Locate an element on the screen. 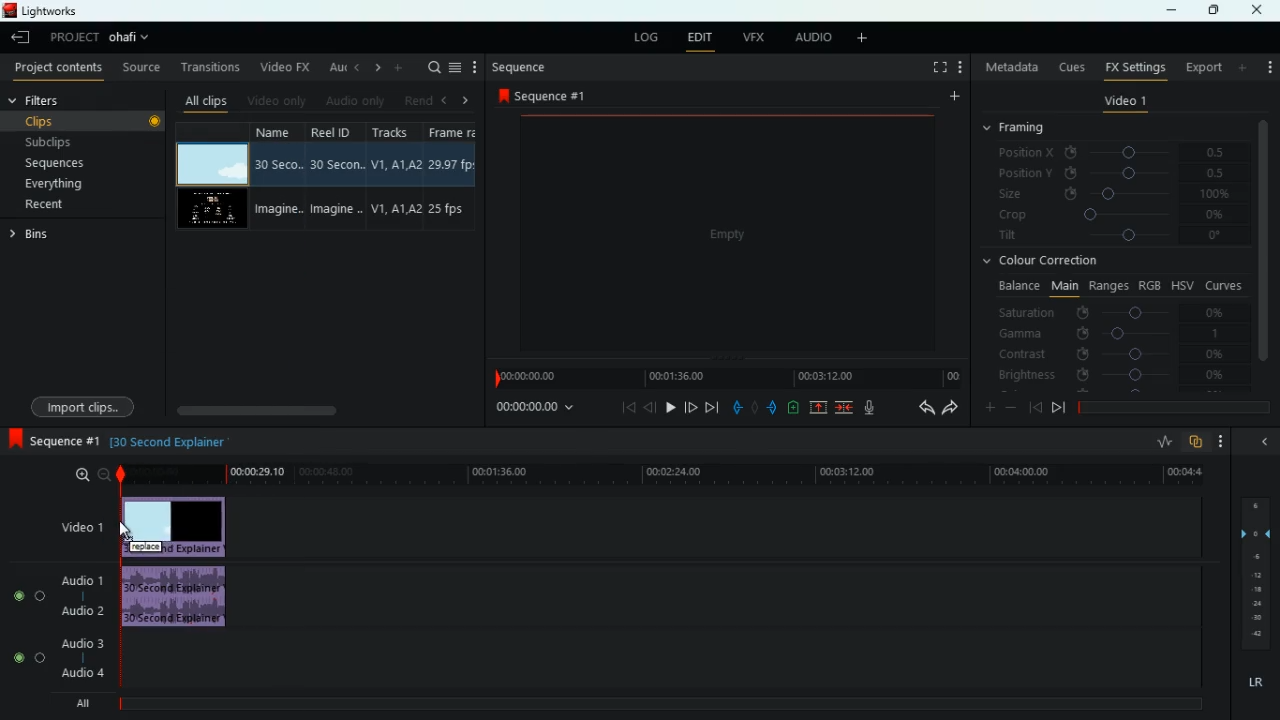 The height and width of the screenshot is (720, 1280). lr is located at coordinates (1253, 679).